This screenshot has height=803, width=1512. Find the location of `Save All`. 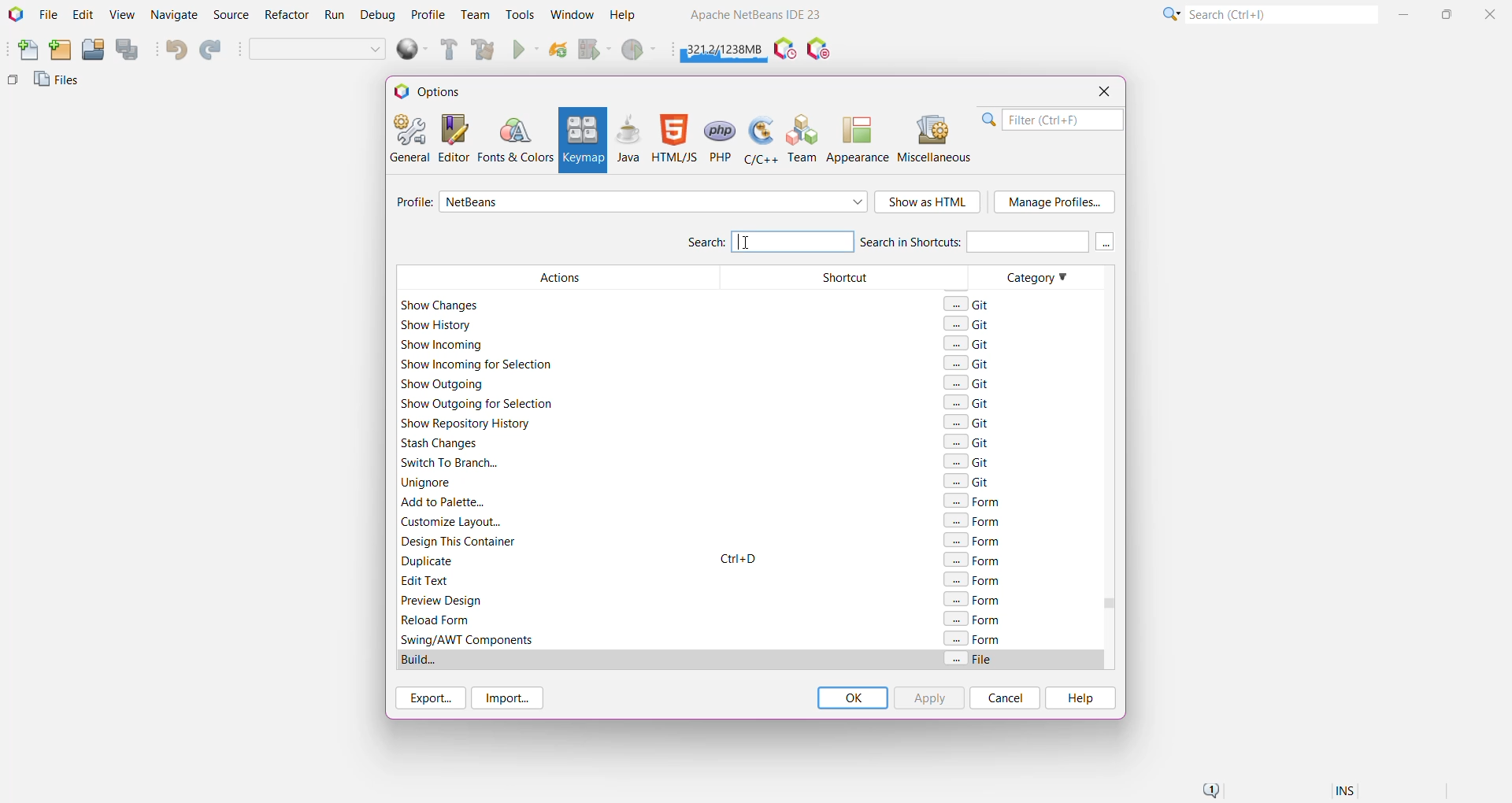

Save All is located at coordinates (128, 50).